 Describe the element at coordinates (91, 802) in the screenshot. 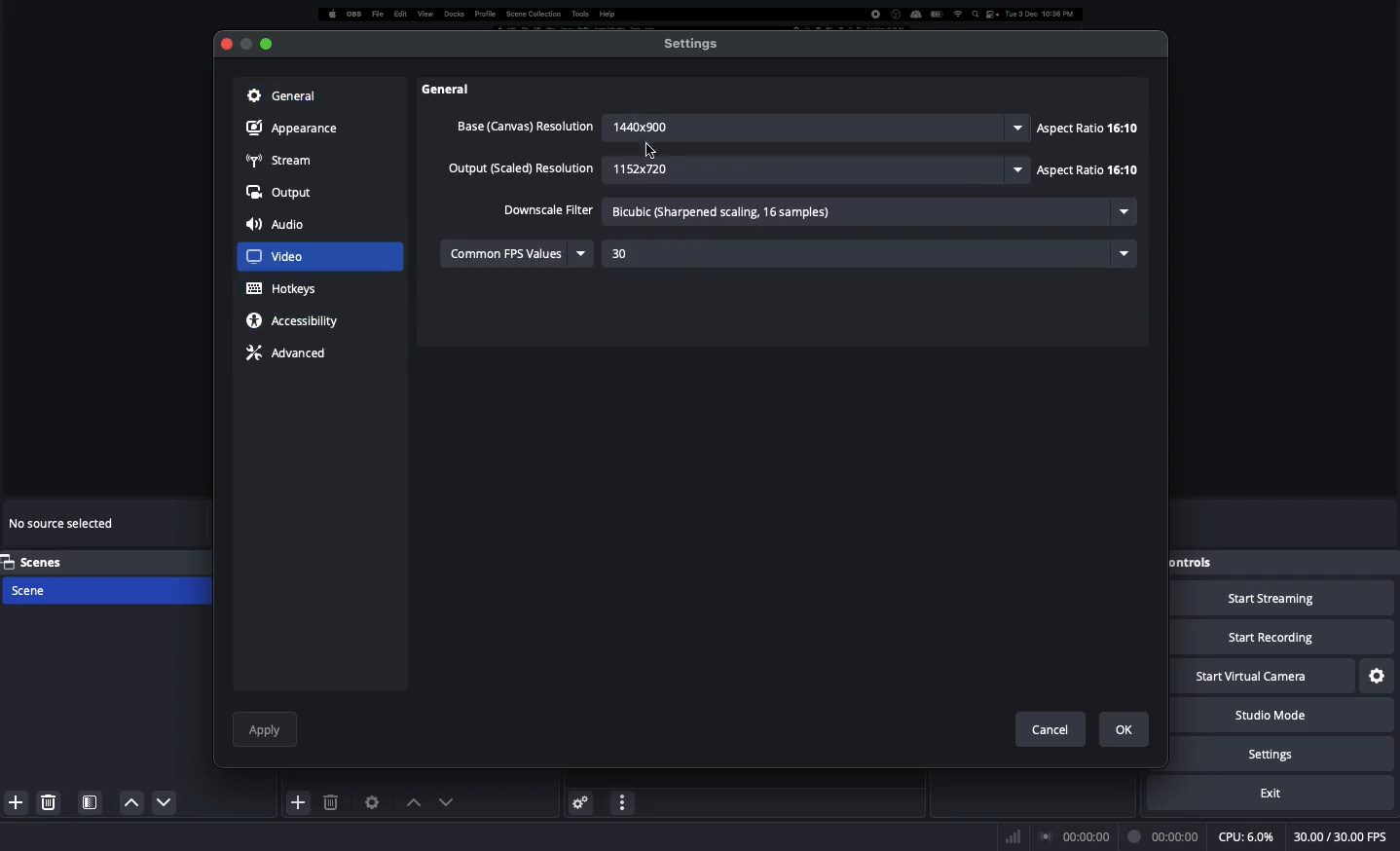

I see `Scenes filter` at that location.